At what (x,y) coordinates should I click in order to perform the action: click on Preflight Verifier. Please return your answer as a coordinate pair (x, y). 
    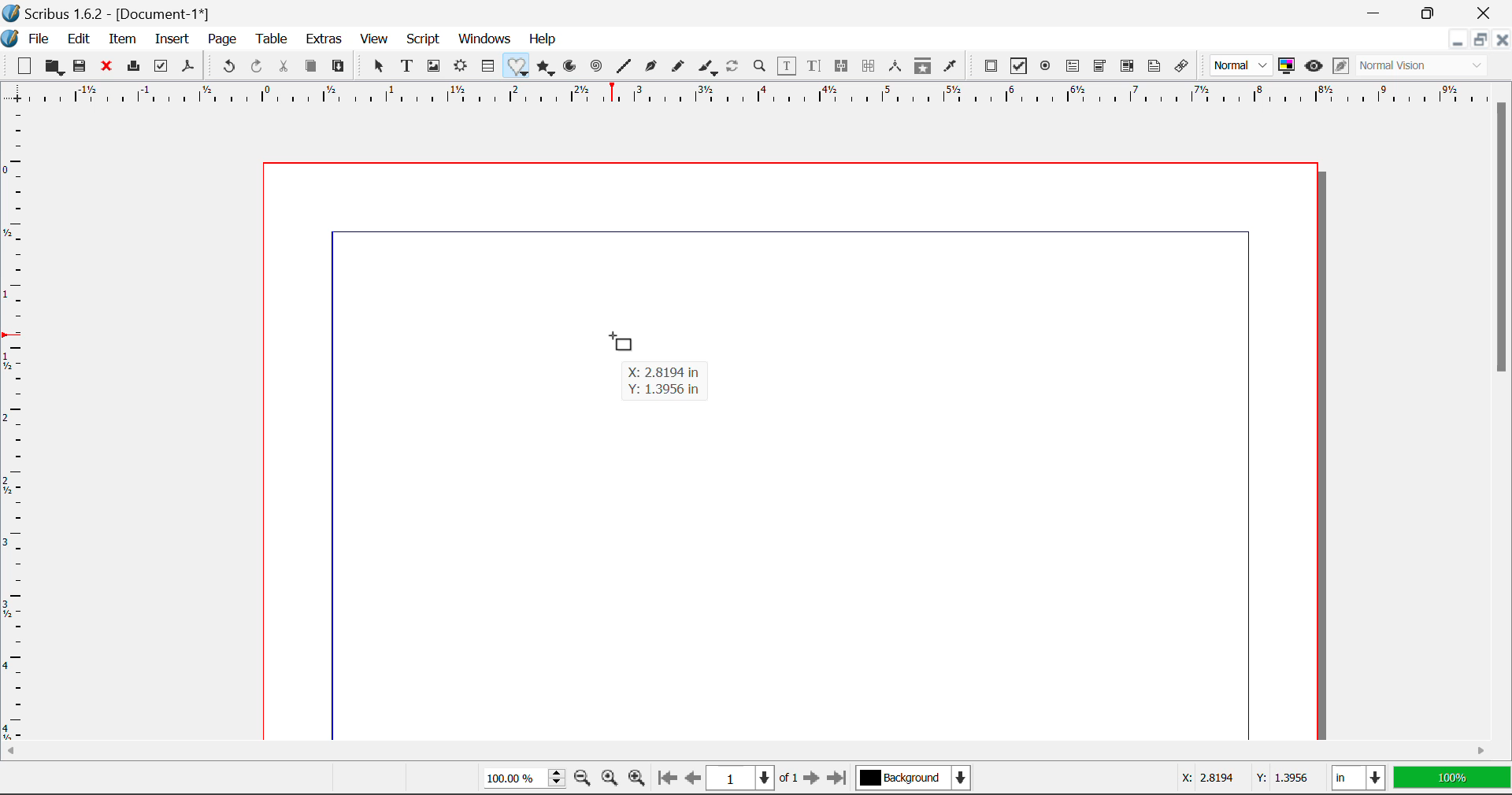
    Looking at the image, I should click on (162, 70).